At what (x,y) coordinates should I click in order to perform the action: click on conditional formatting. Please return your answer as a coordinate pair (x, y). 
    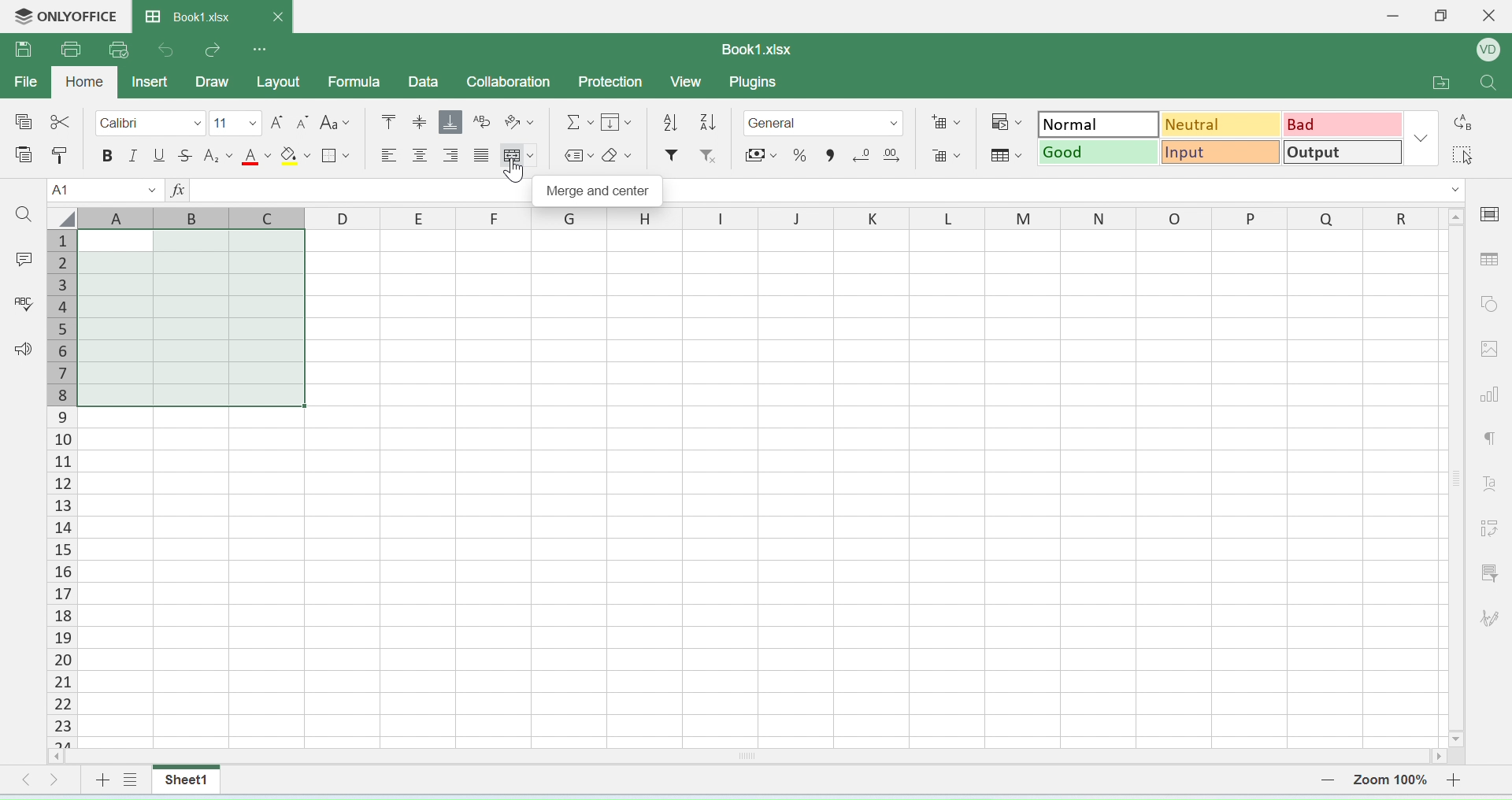
    Looking at the image, I should click on (1004, 119).